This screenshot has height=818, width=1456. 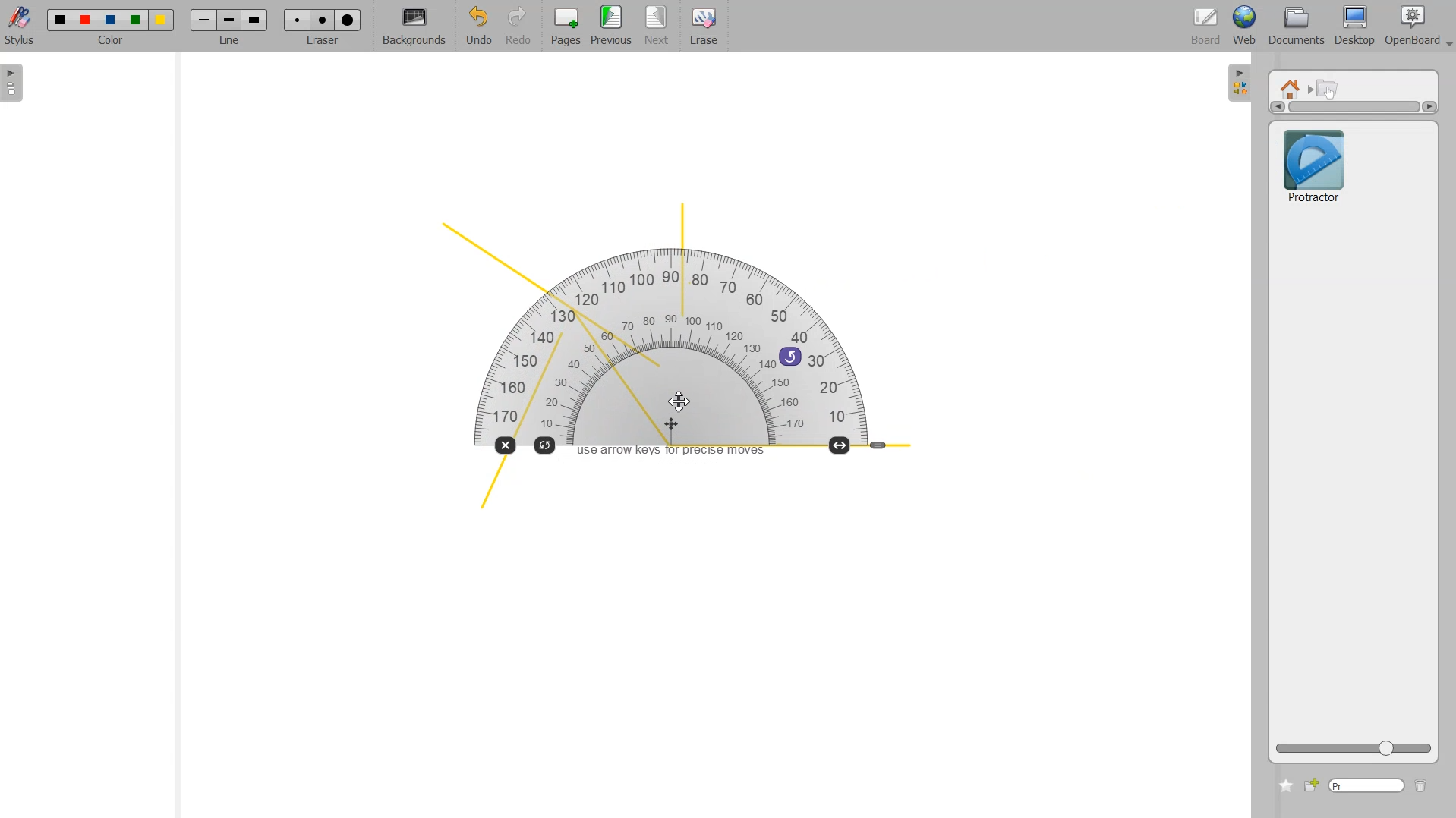 I want to click on Vertical scrollbar, so click(x=1354, y=107).